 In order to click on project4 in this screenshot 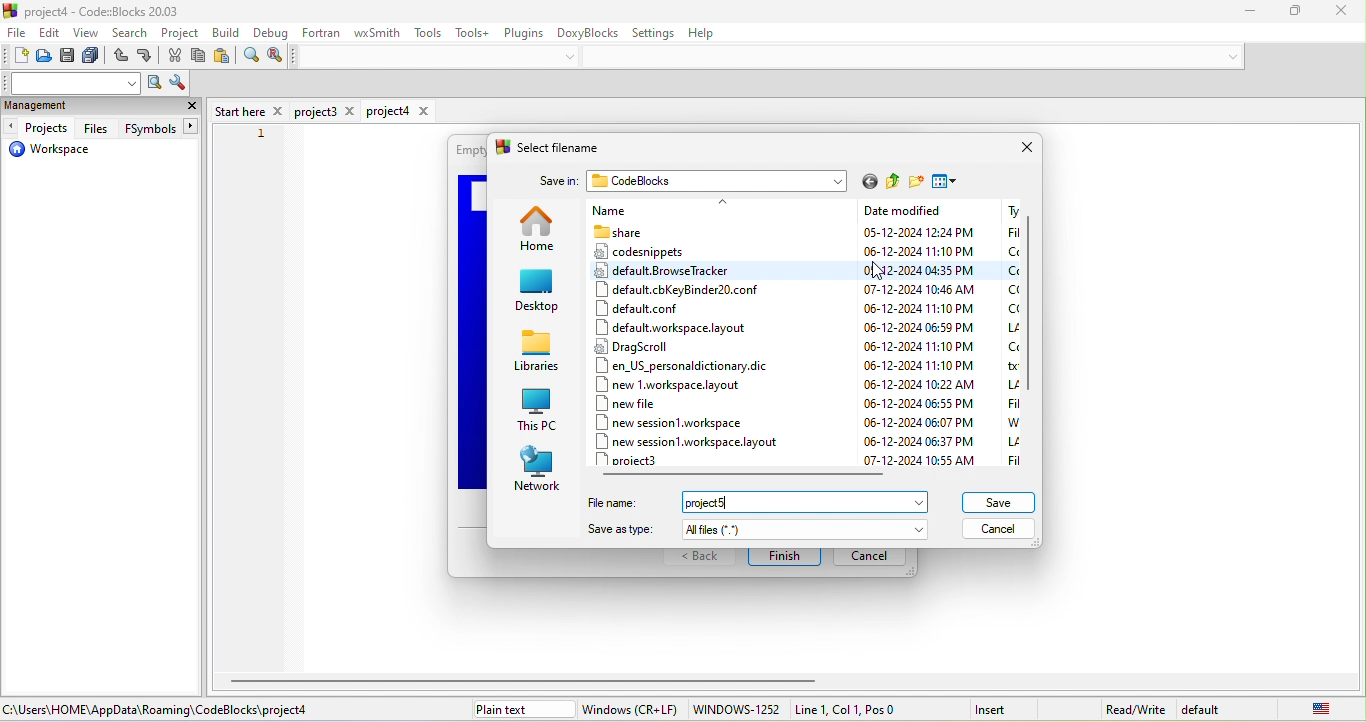, I will do `click(399, 111)`.